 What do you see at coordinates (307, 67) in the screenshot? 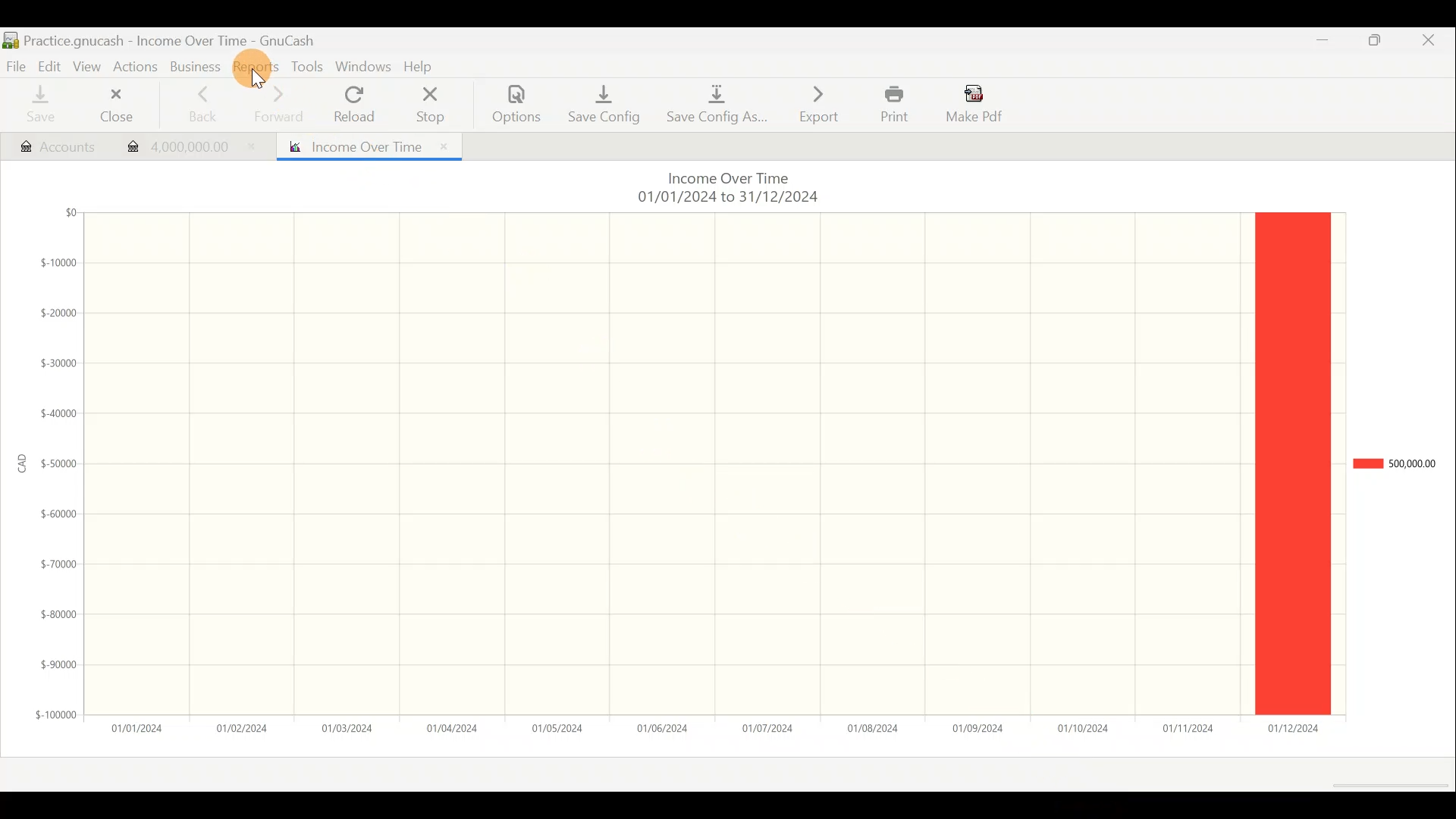
I see `Tools` at bounding box center [307, 67].